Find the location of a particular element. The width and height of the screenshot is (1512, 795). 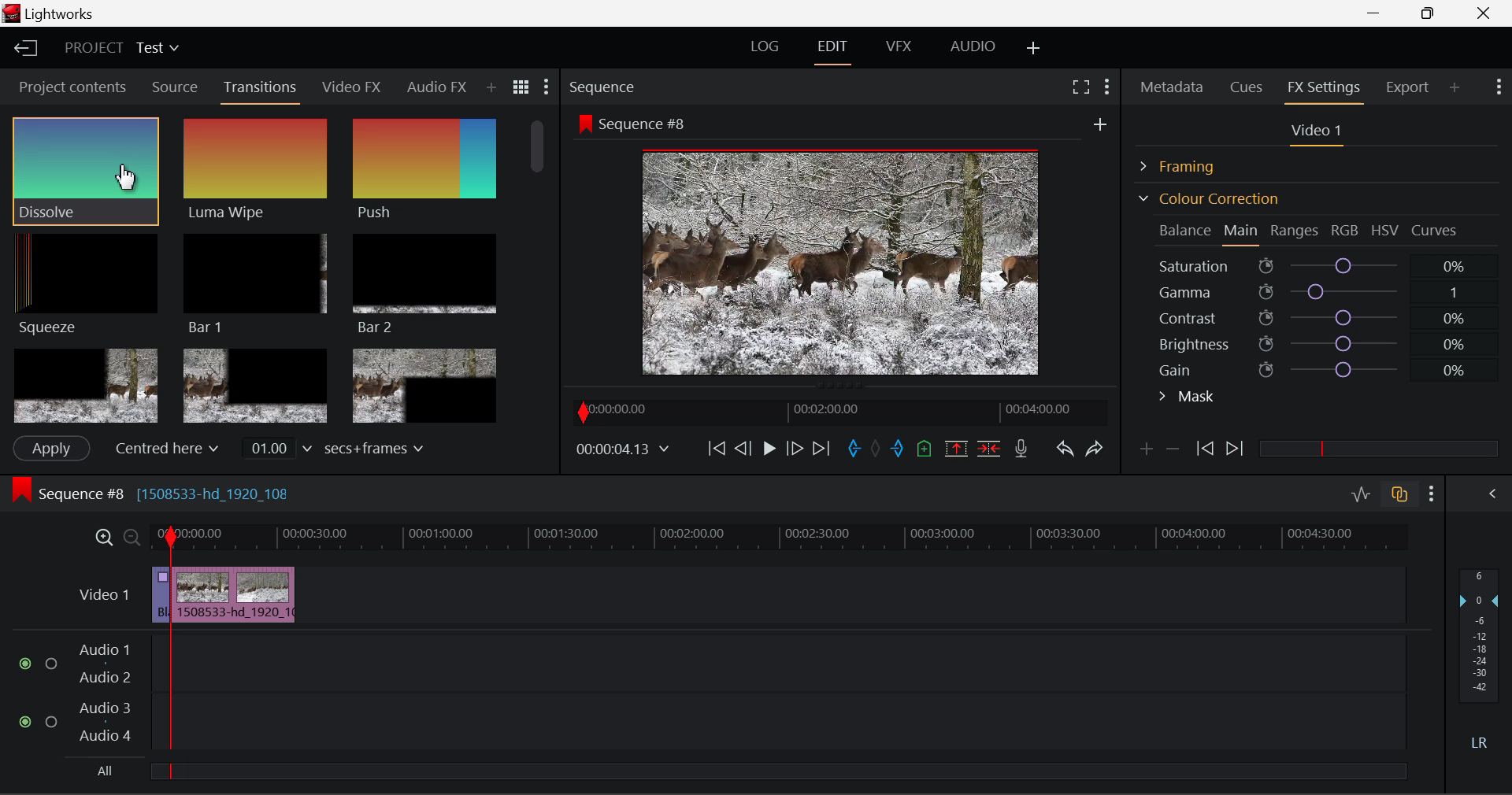

Mark Cue is located at coordinates (923, 449).